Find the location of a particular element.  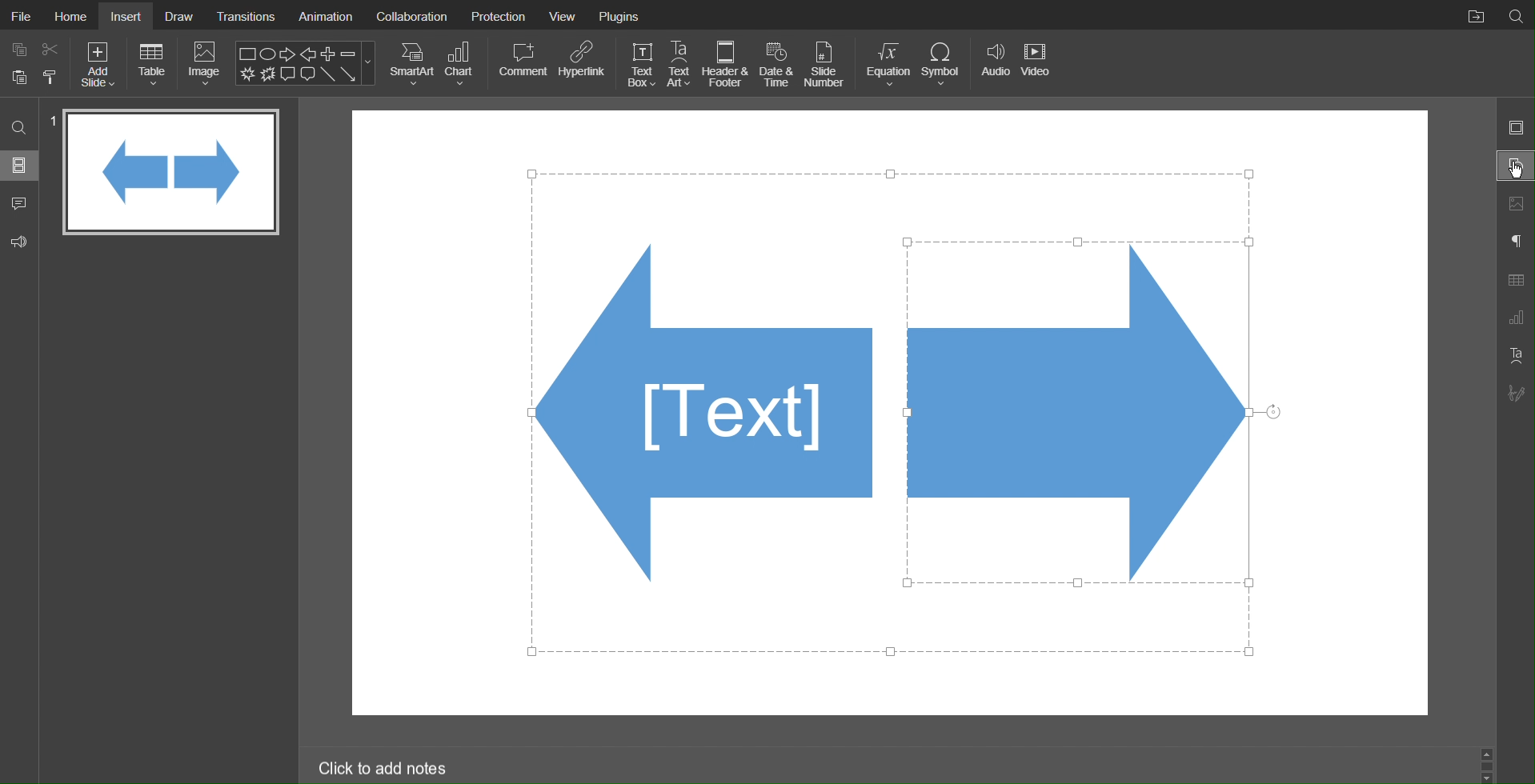

paste options is located at coordinates (51, 79).